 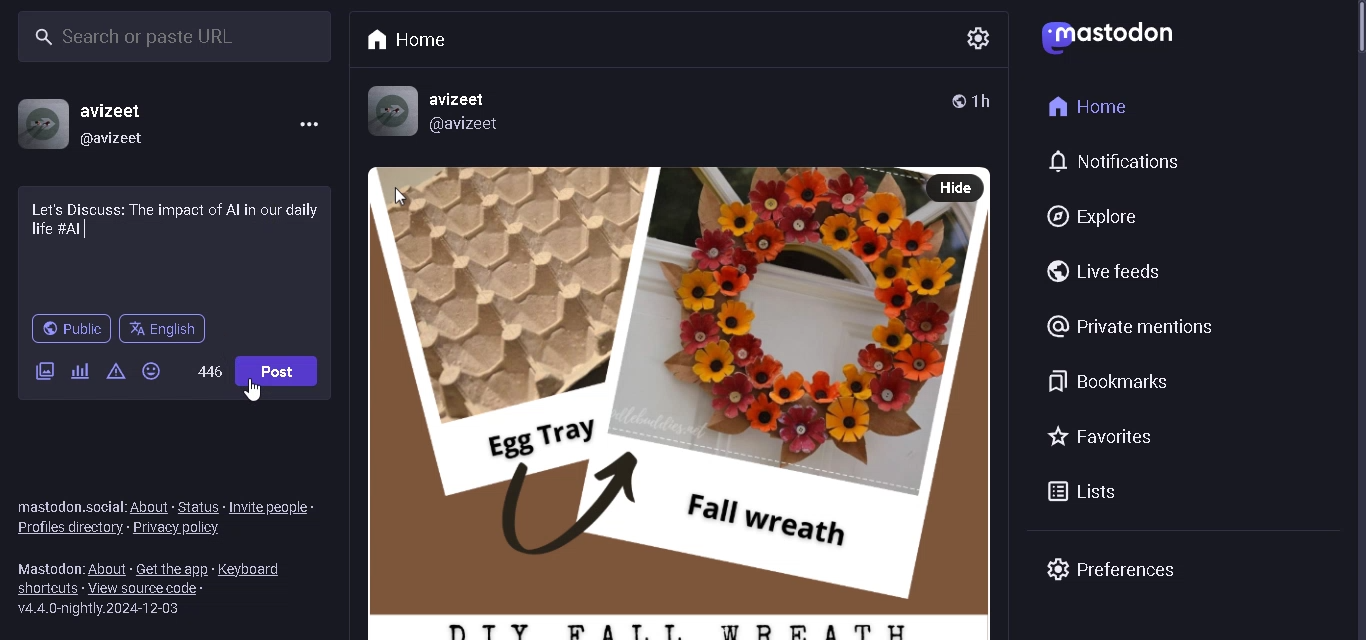 What do you see at coordinates (166, 328) in the screenshot?
I see `LANGUAGE` at bounding box center [166, 328].